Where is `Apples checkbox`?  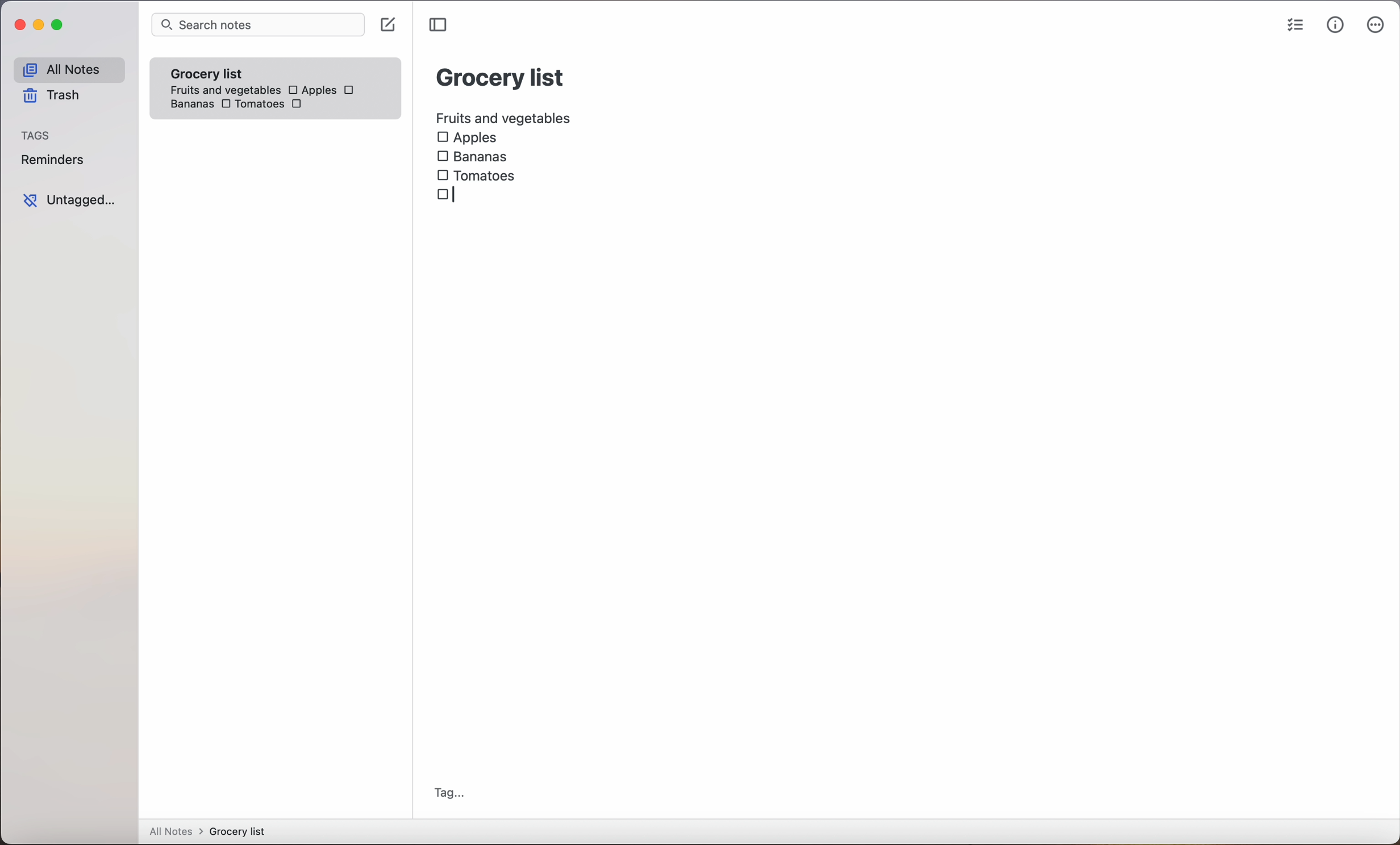
Apples checkbox is located at coordinates (467, 138).